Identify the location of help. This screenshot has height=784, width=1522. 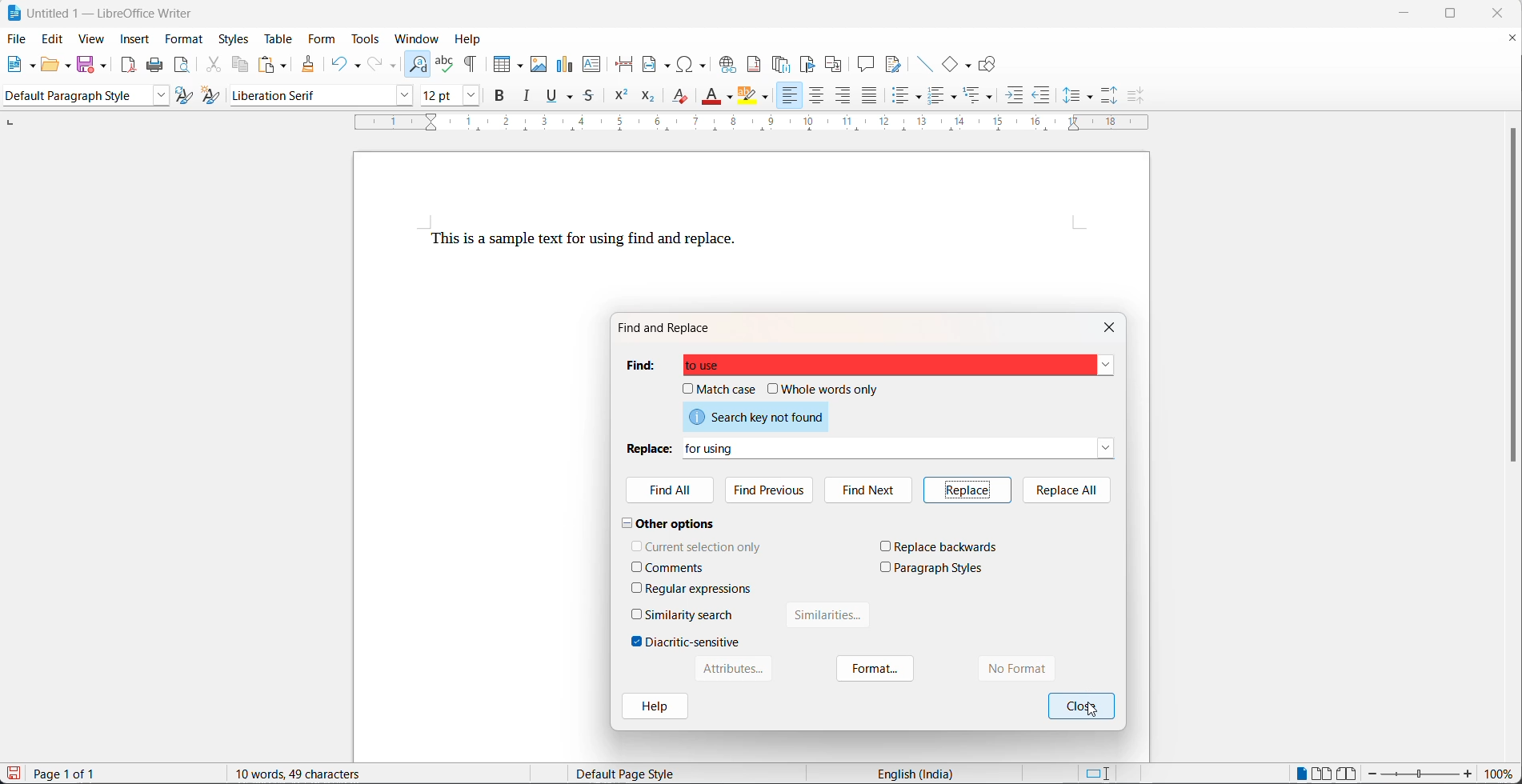
(654, 708).